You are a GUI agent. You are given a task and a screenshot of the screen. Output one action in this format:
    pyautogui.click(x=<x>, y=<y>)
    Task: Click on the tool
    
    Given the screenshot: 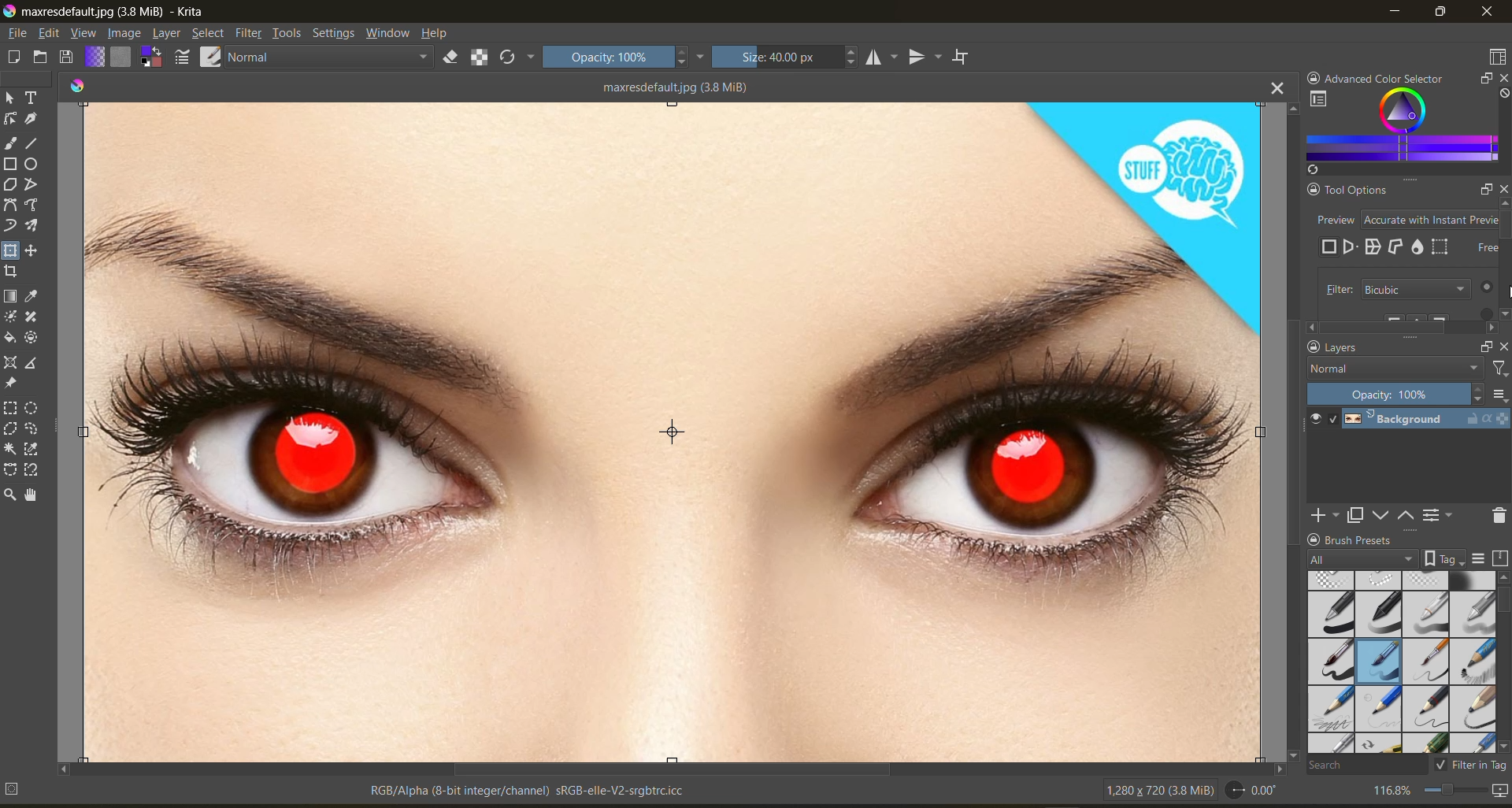 What is the action you would take?
    pyautogui.click(x=33, y=96)
    